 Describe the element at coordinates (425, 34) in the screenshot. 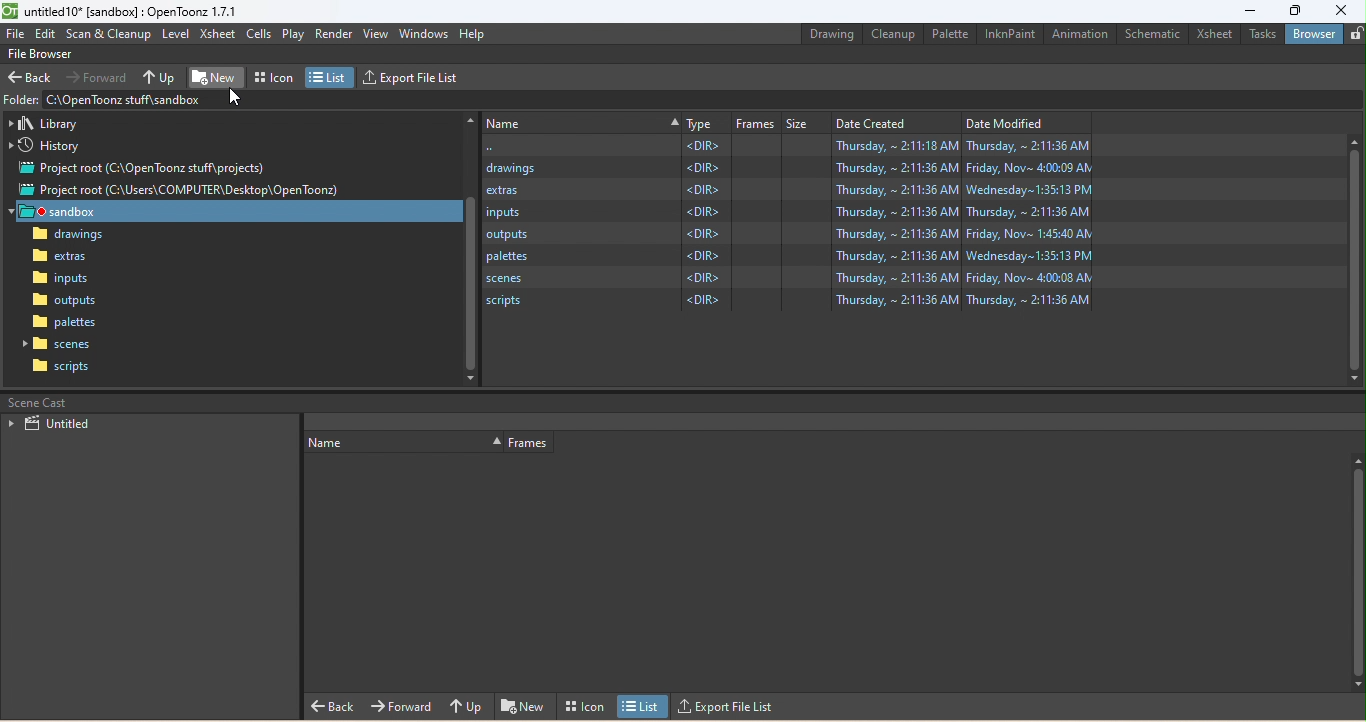

I see `Windows` at that location.